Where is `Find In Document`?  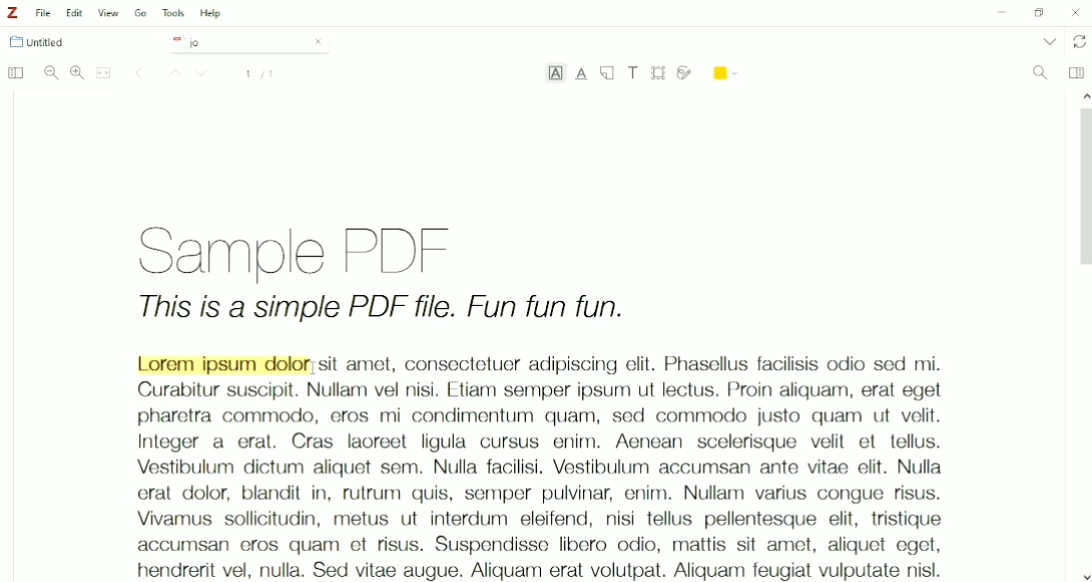
Find In Document is located at coordinates (1040, 74).